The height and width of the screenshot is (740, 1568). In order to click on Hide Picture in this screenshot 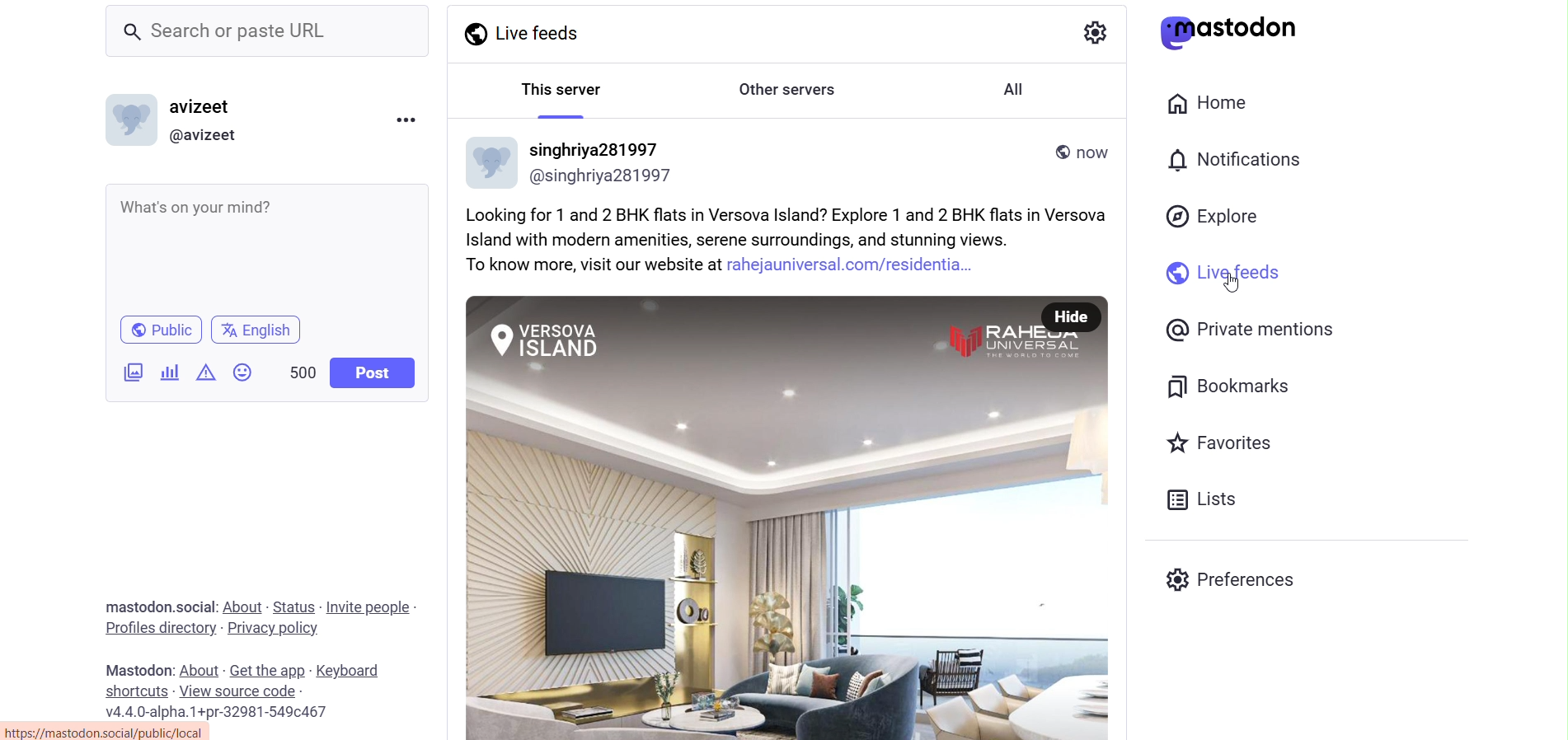, I will do `click(1070, 318)`.